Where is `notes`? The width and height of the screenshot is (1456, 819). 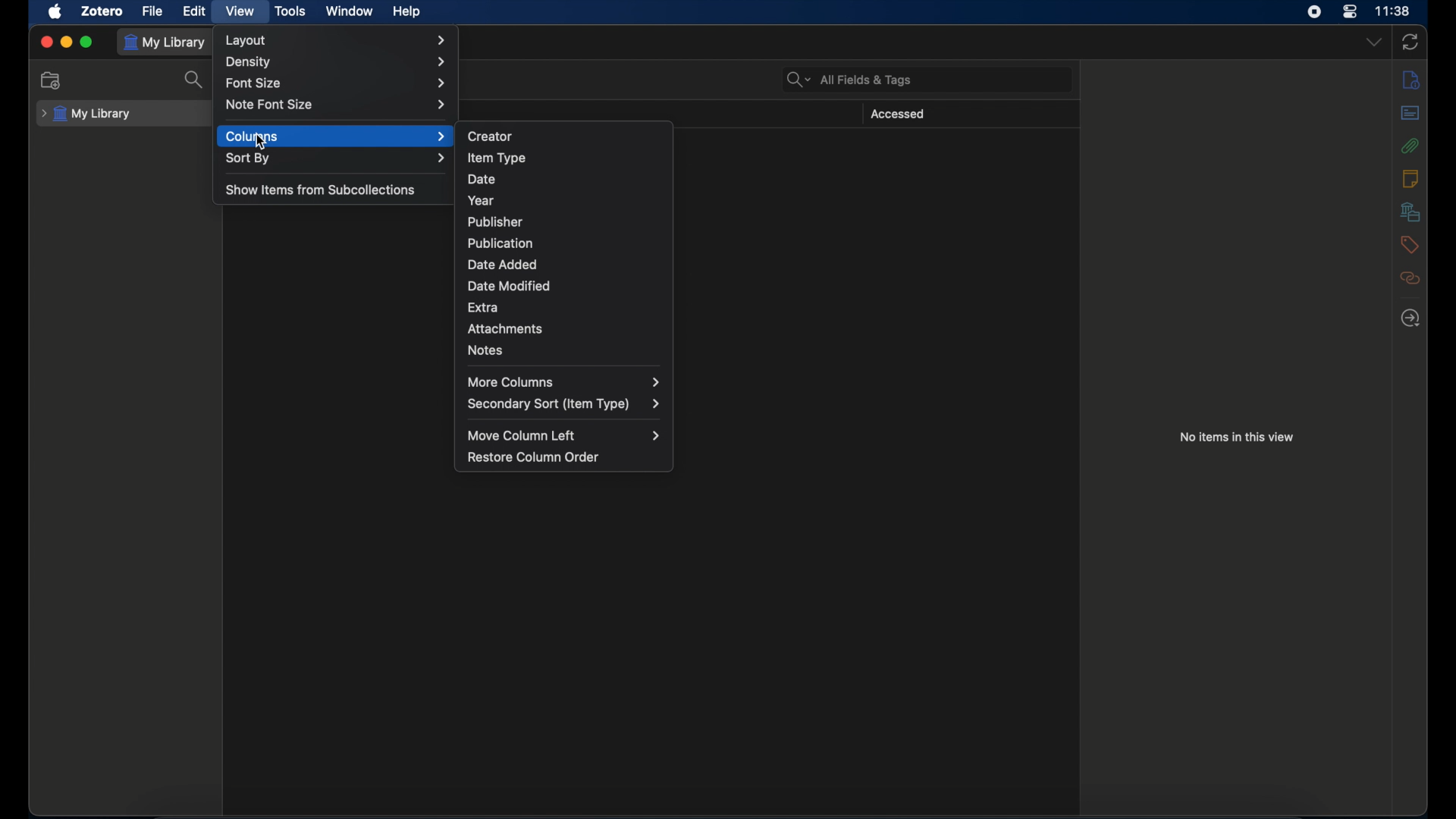 notes is located at coordinates (1412, 178).